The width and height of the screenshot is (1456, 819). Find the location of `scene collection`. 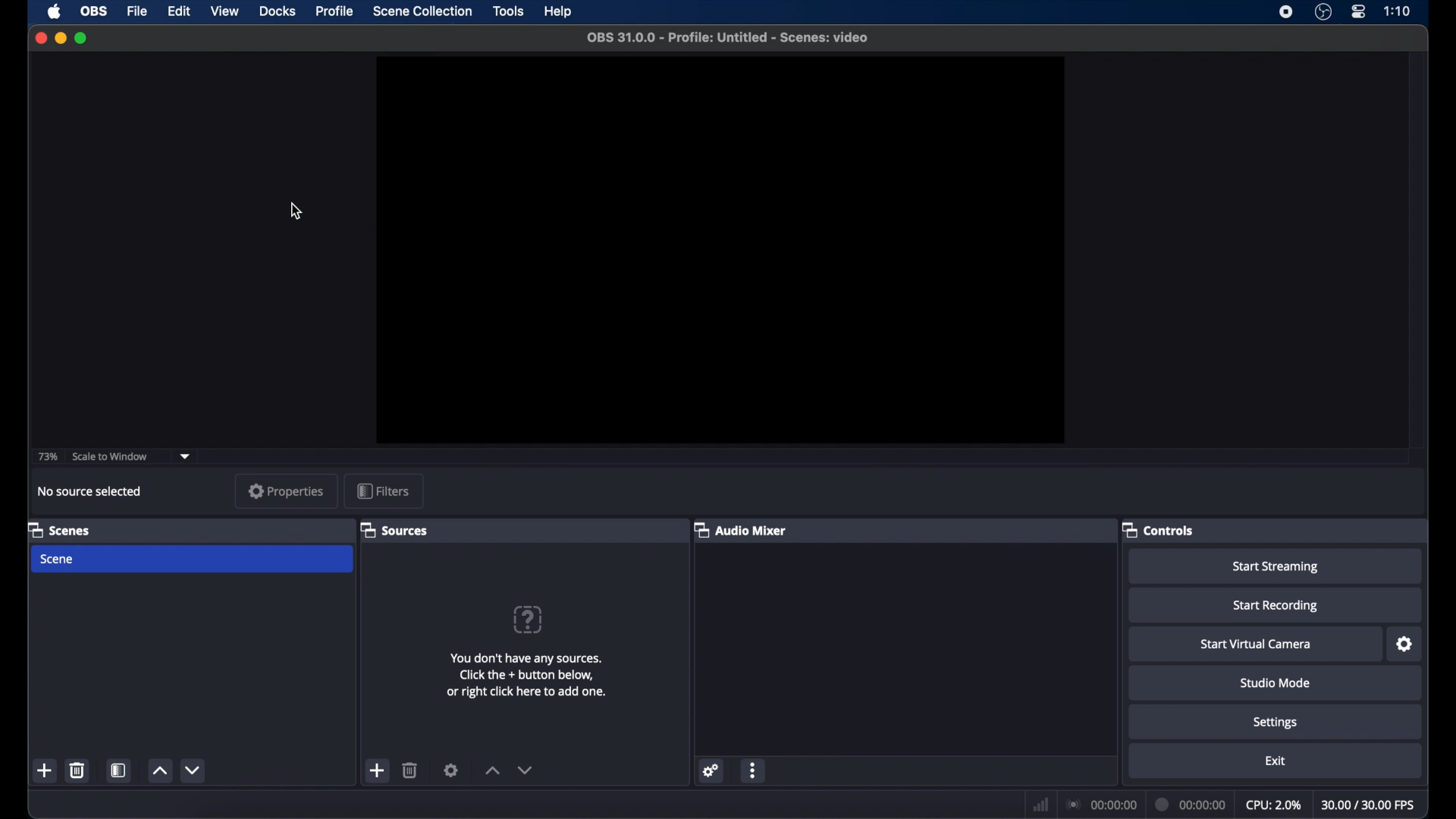

scene collection is located at coordinates (422, 11).